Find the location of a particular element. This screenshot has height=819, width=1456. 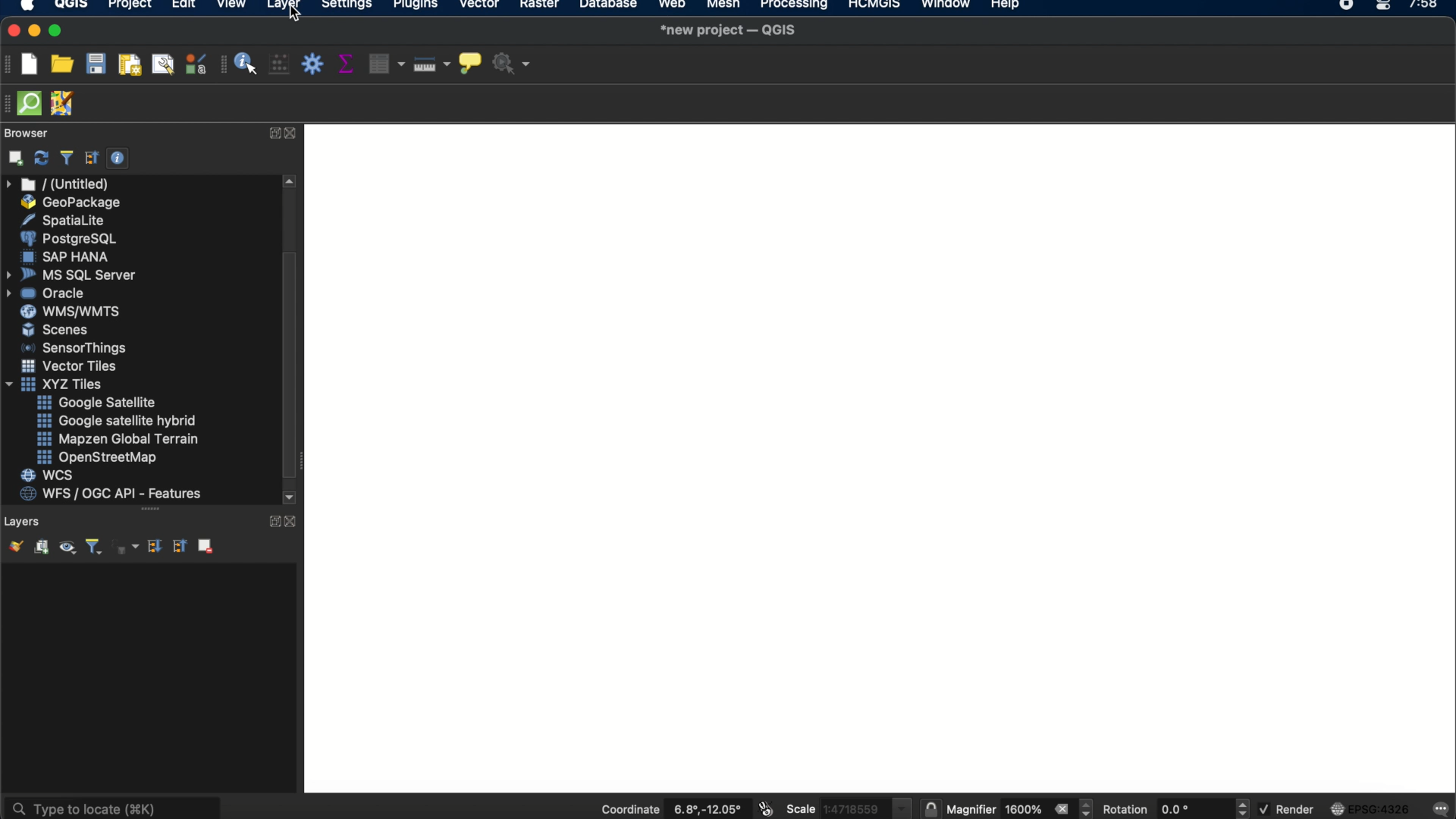

project is located at coordinates (127, 6).